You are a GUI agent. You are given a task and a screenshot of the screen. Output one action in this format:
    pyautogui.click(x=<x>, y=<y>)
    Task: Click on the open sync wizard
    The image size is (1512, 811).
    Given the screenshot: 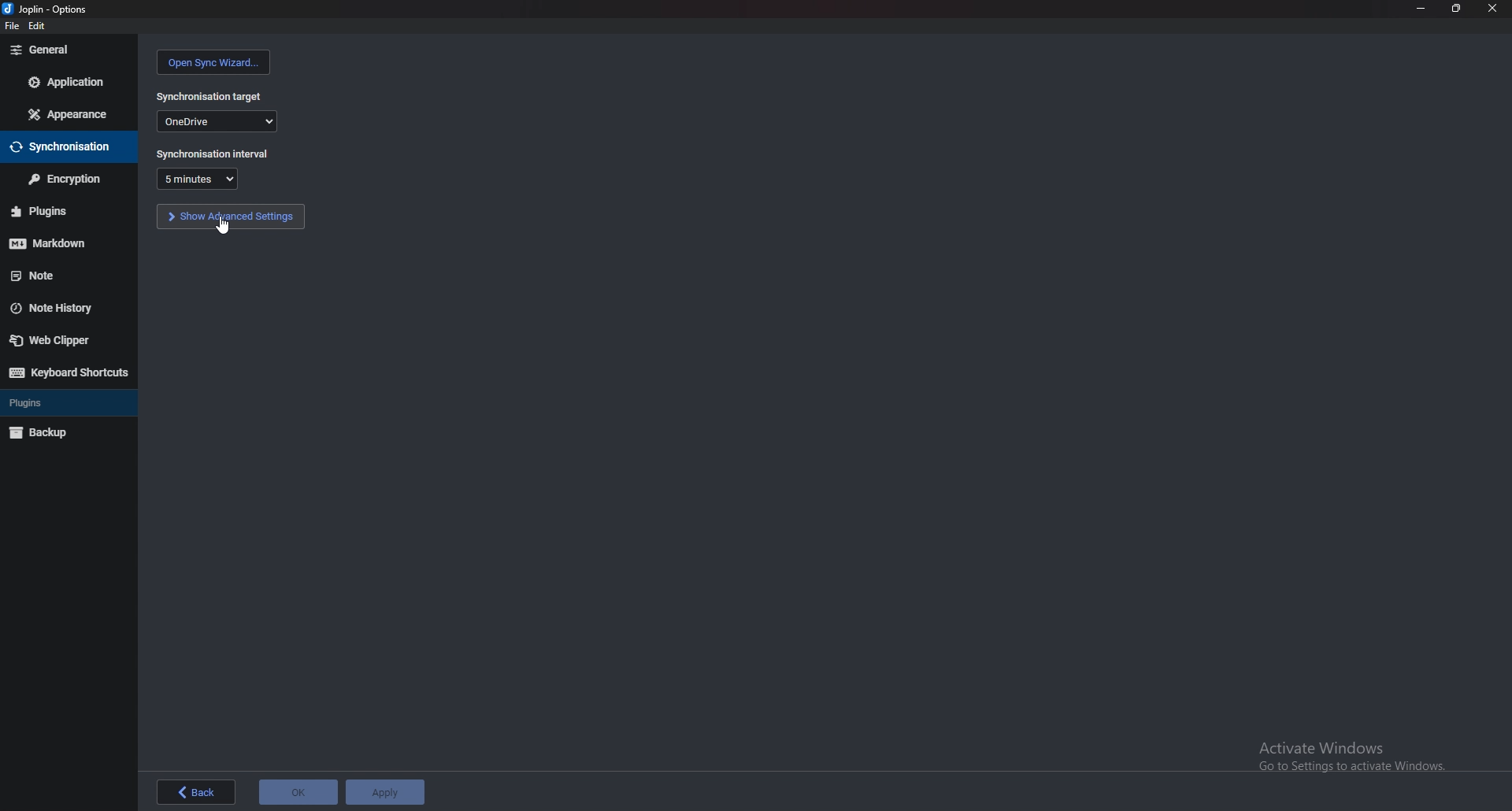 What is the action you would take?
    pyautogui.click(x=213, y=62)
    